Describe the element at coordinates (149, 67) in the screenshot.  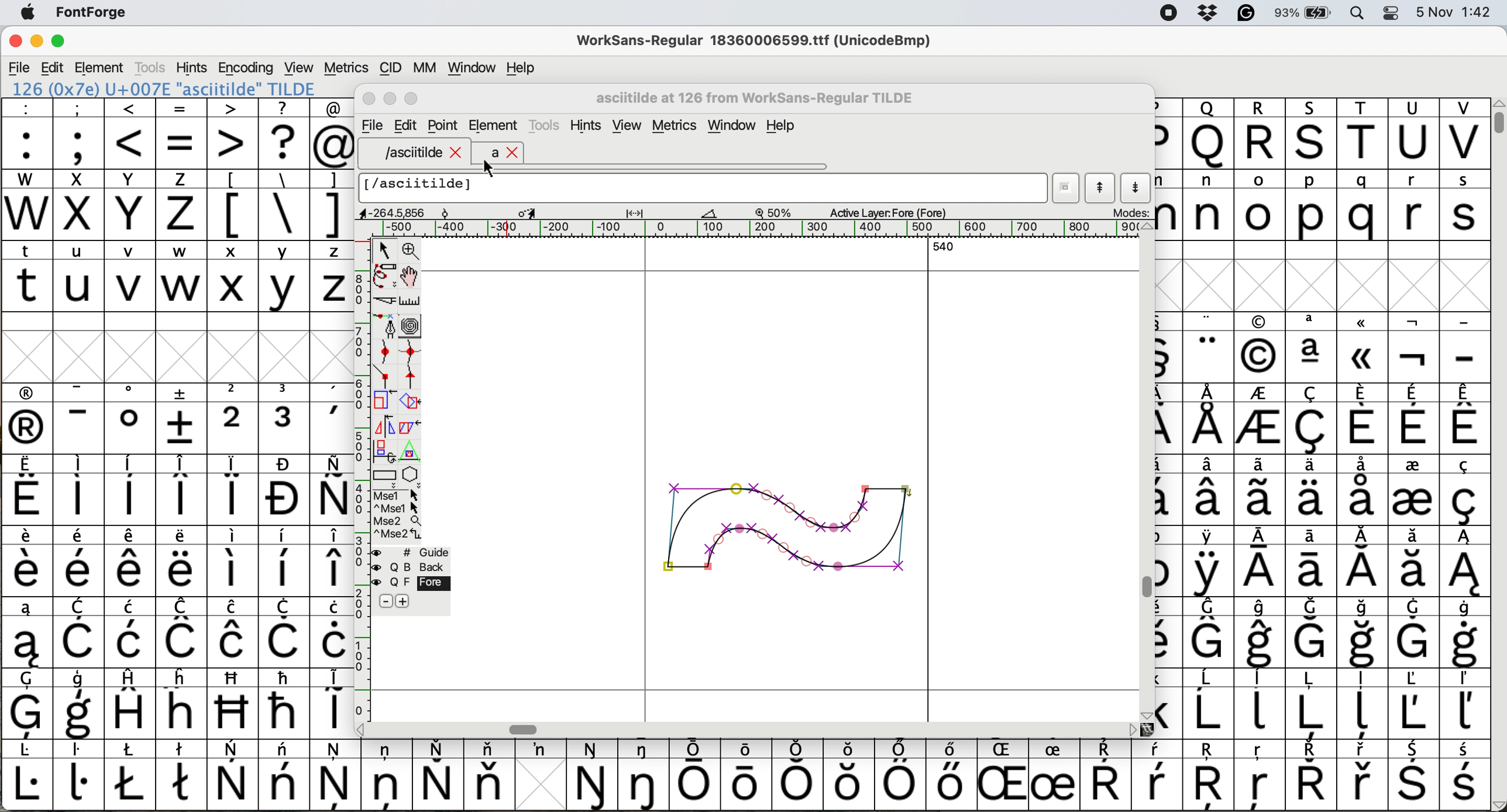
I see `tools` at that location.